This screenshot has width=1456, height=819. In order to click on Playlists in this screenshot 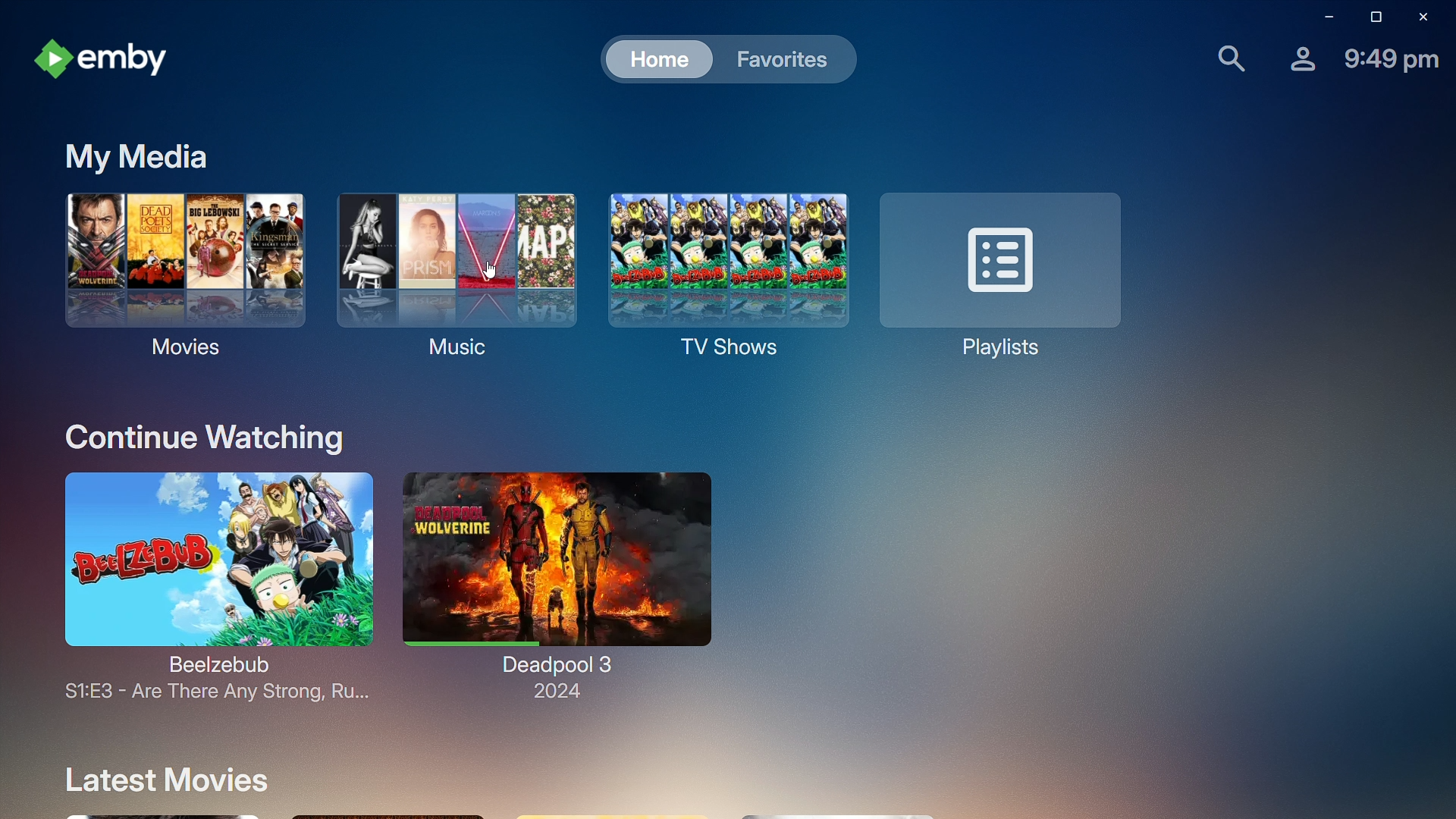, I will do `click(1002, 273)`.